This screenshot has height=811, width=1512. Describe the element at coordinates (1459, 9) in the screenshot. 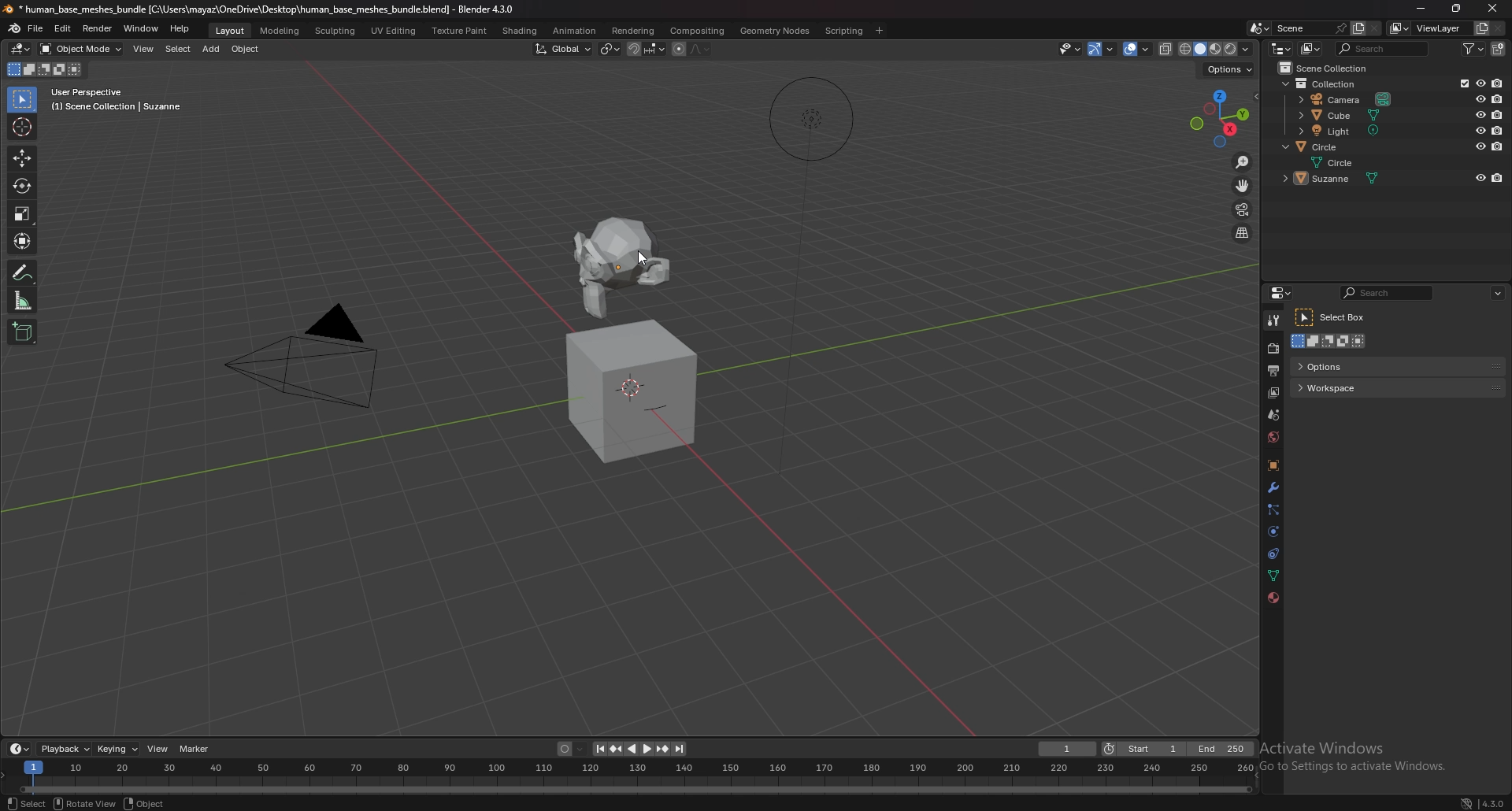

I see `resize` at that location.